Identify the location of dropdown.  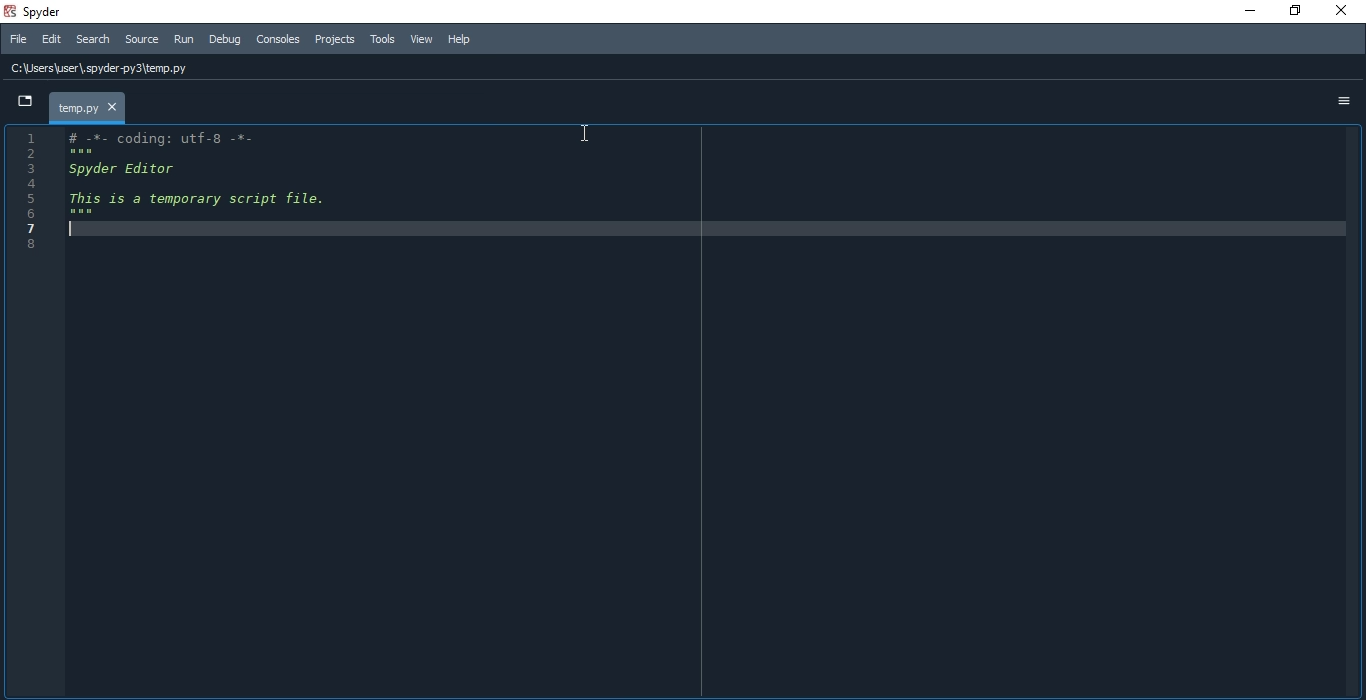
(20, 104).